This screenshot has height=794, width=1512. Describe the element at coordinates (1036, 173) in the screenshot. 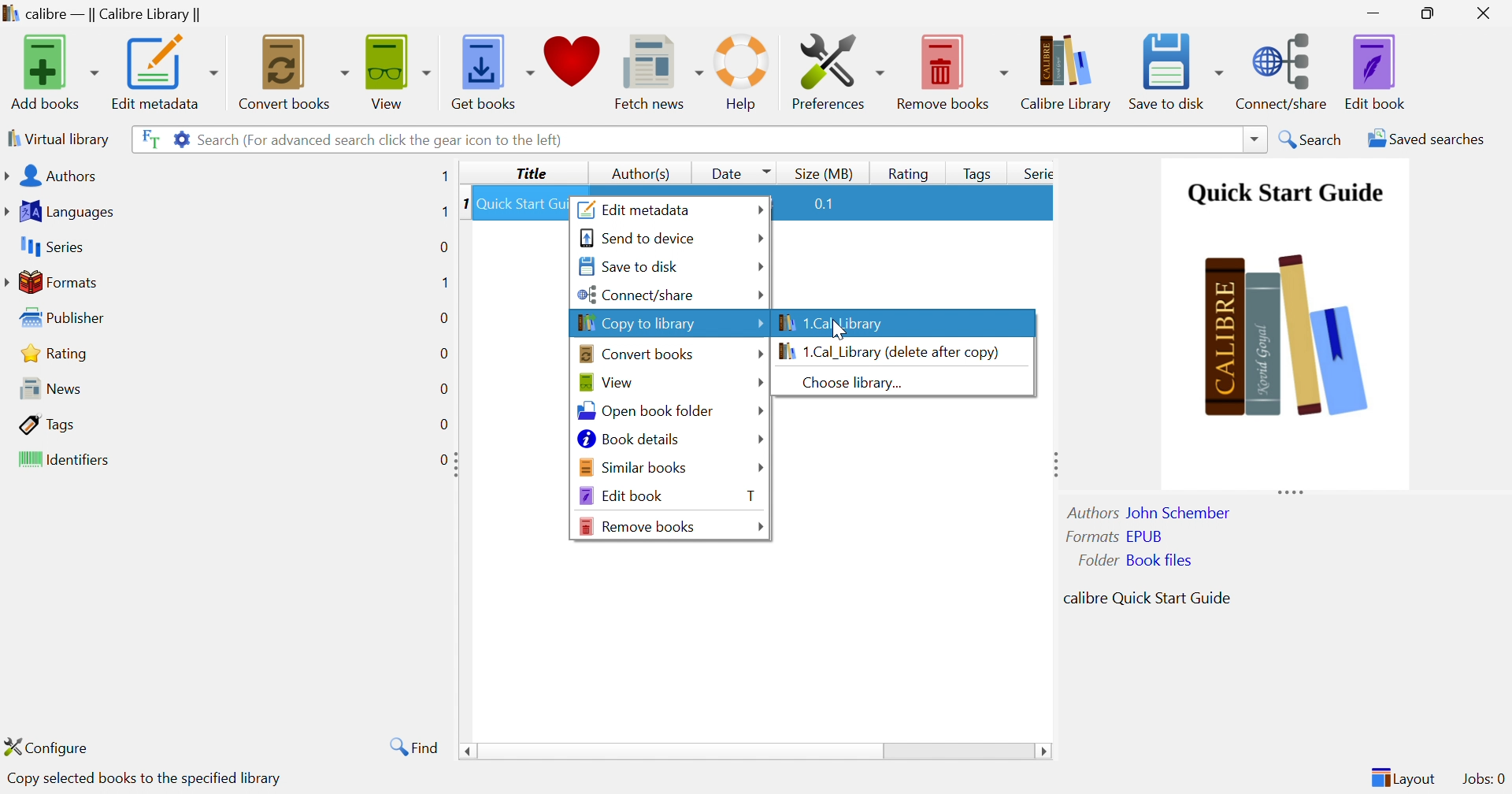

I see `Series` at that location.